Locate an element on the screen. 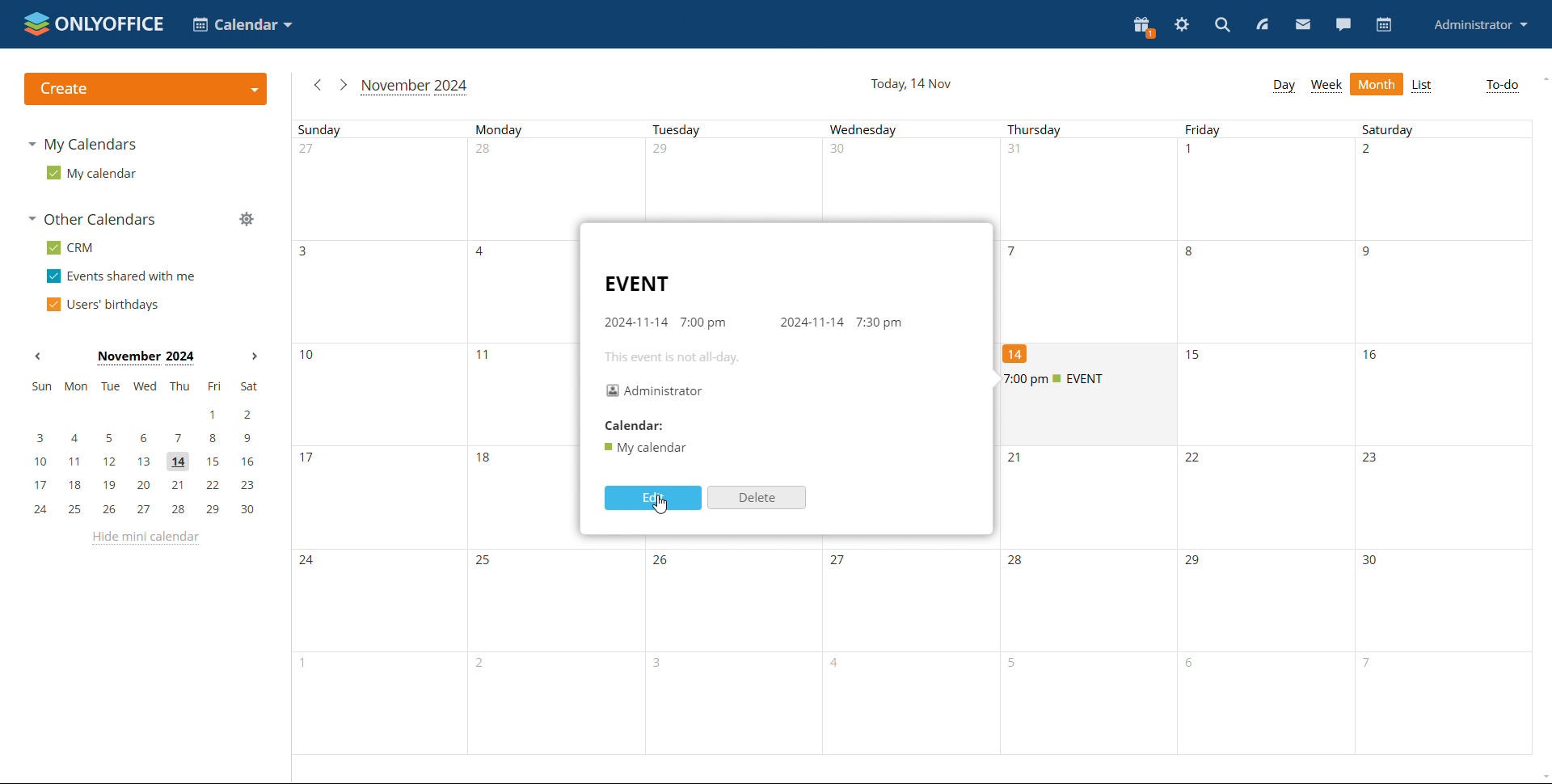 This screenshot has width=1552, height=784. previous month is located at coordinates (37, 356).